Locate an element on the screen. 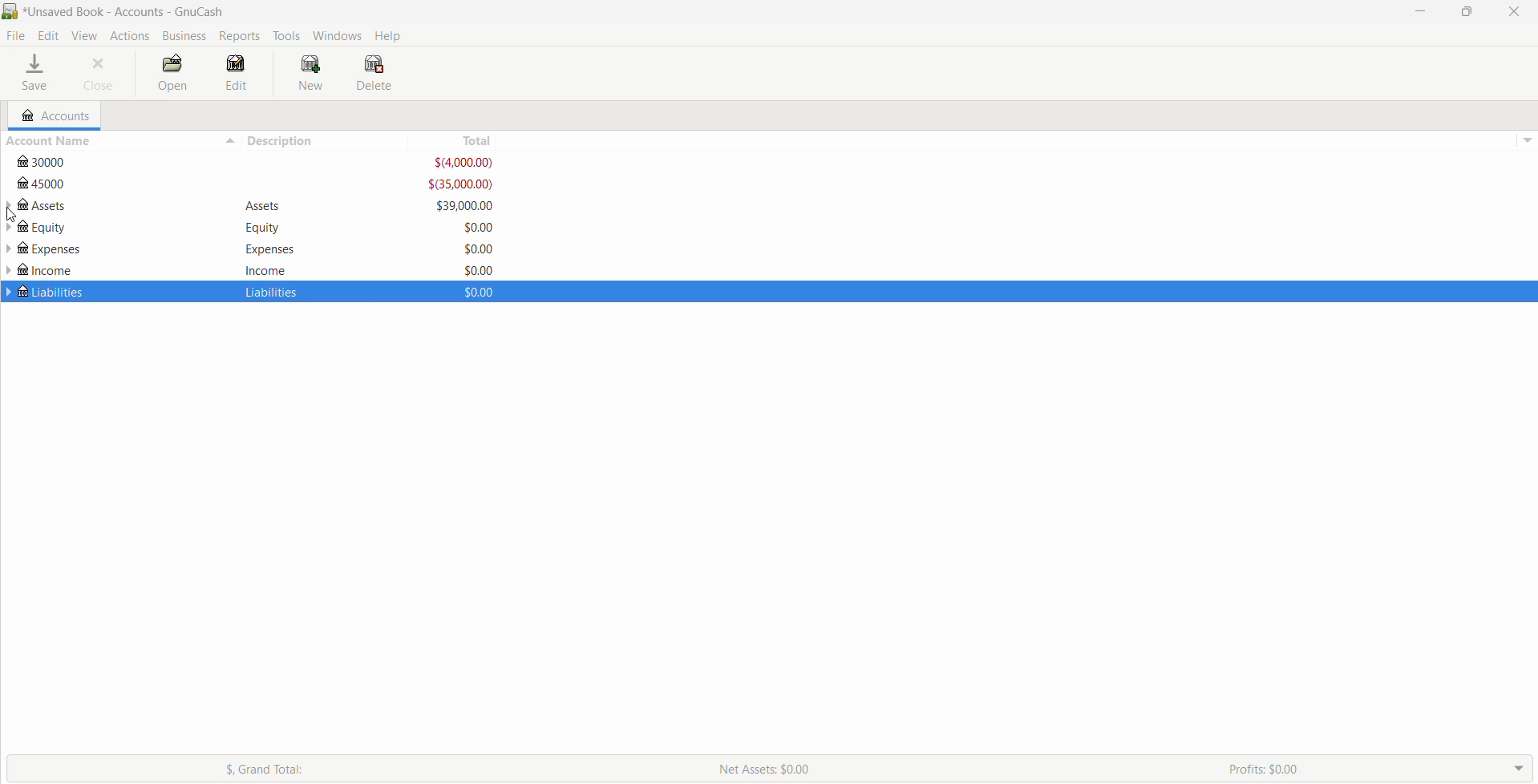  $(35,000.00) is located at coordinates (459, 184).